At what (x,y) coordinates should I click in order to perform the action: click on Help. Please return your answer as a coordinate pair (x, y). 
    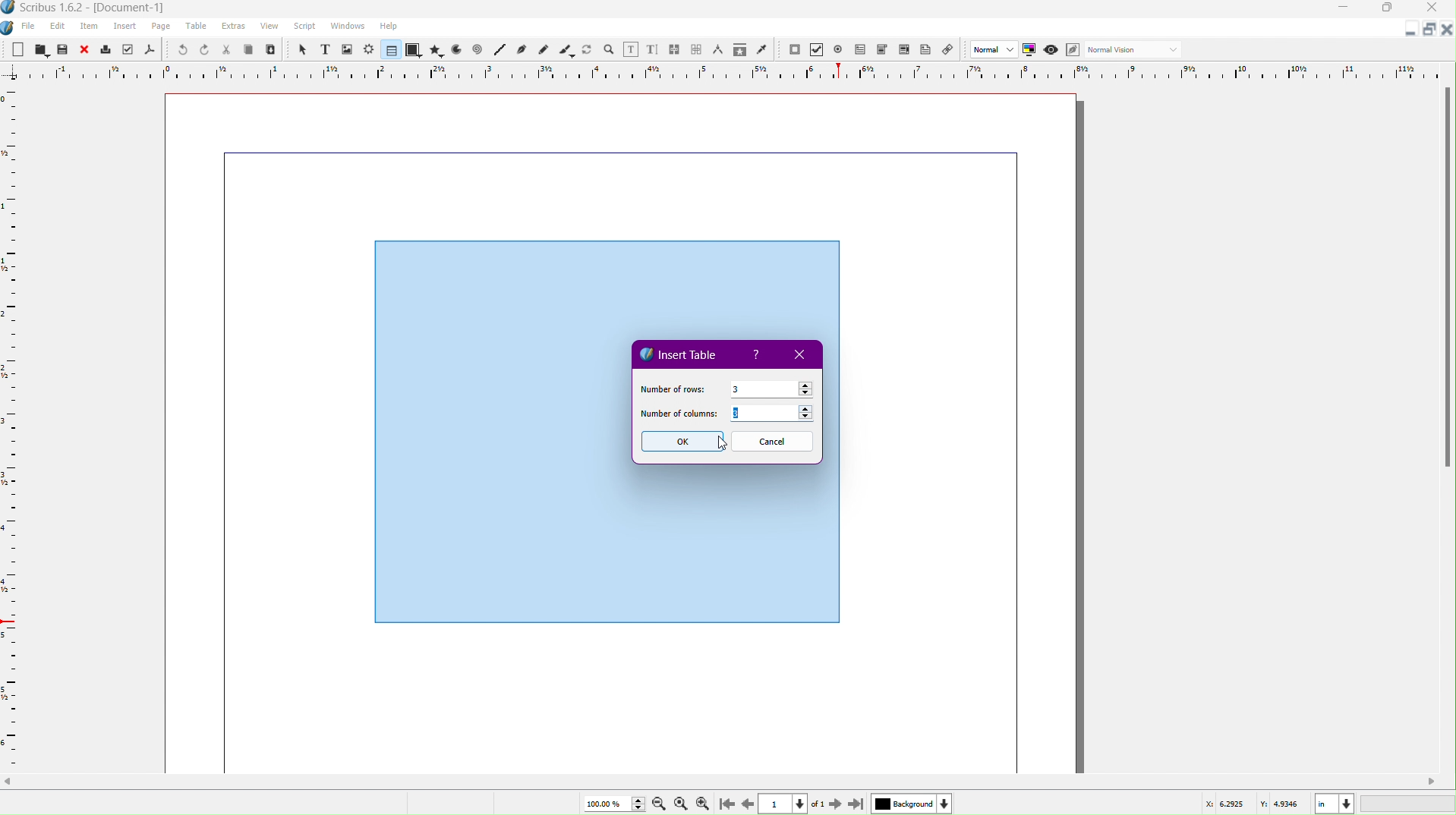
    Looking at the image, I should click on (758, 355).